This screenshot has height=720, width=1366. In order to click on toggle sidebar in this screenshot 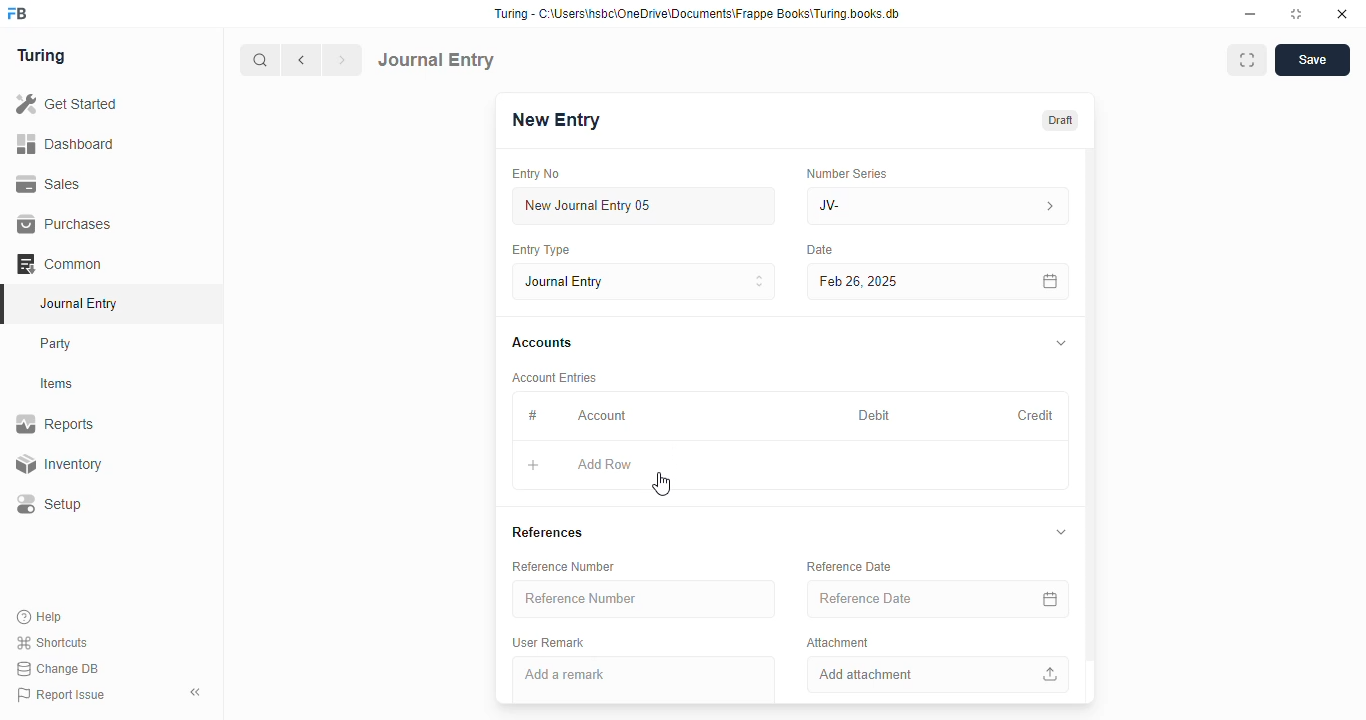, I will do `click(197, 692)`.